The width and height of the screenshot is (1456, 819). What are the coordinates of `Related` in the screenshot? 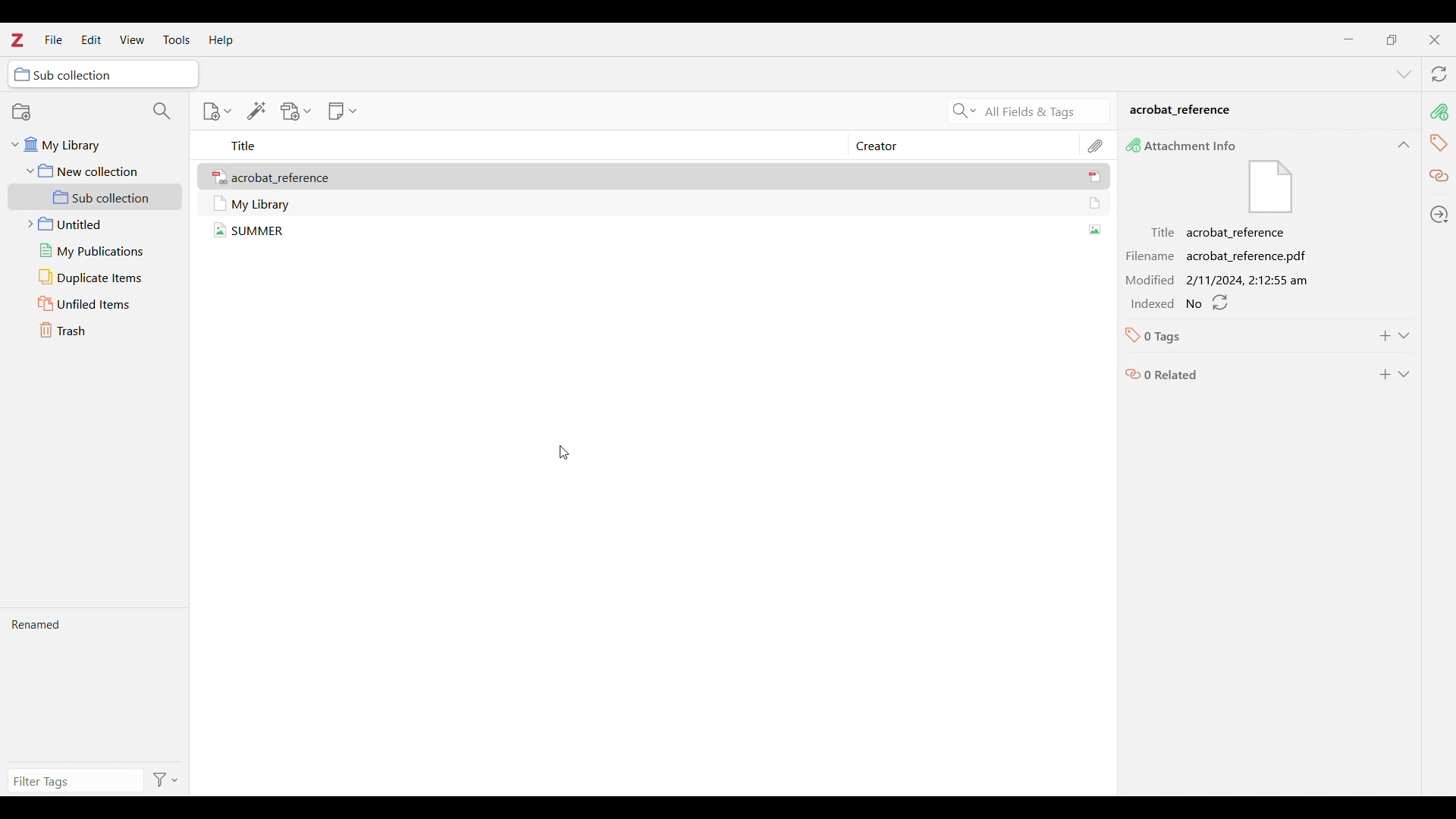 It's located at (1161, 375).